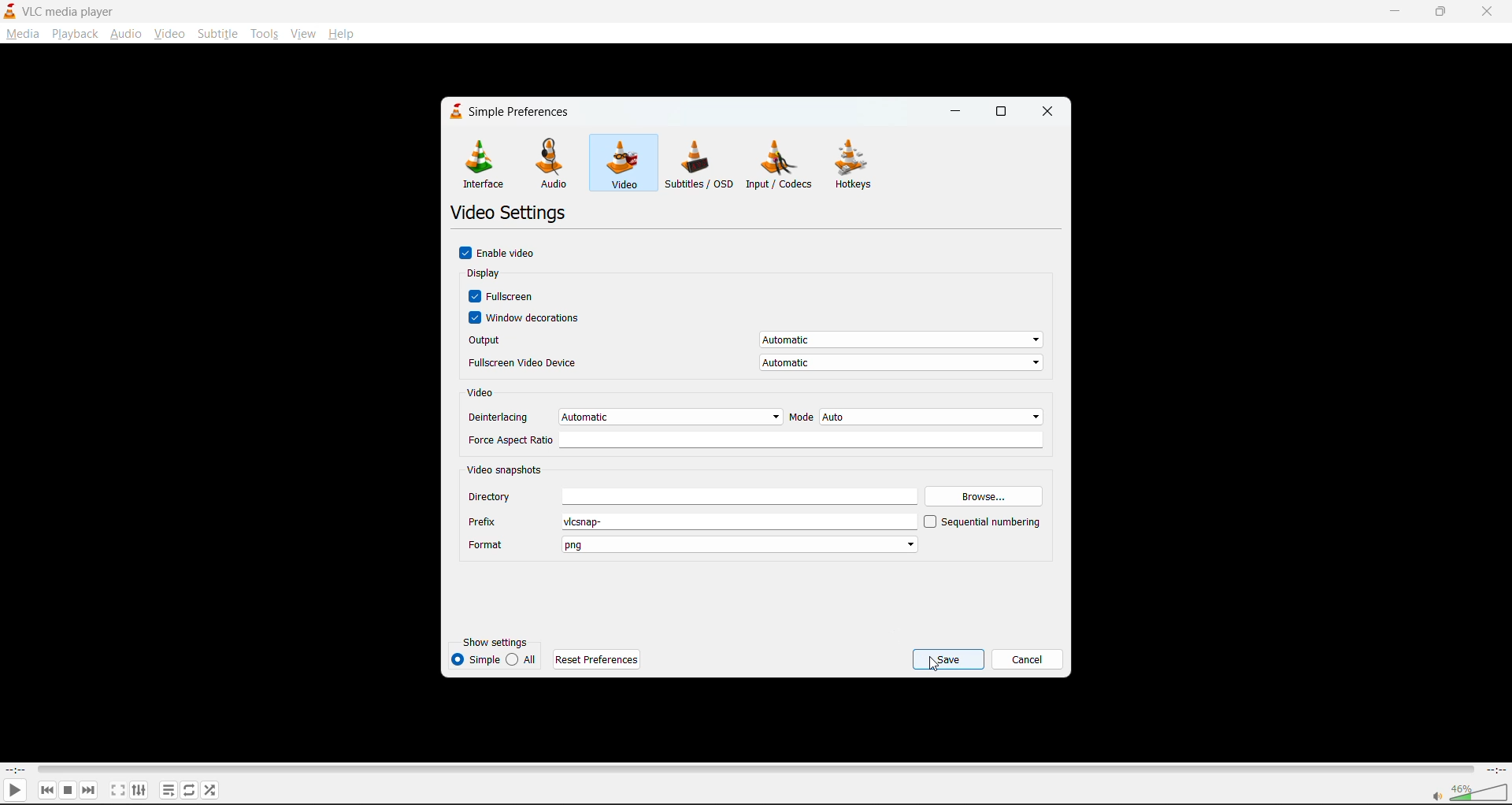 This screenshot has height=805, width=1512. What do you see at coordinates (46, 791) in the screenshot?
I see `previous` at bounding box center [46, 791].